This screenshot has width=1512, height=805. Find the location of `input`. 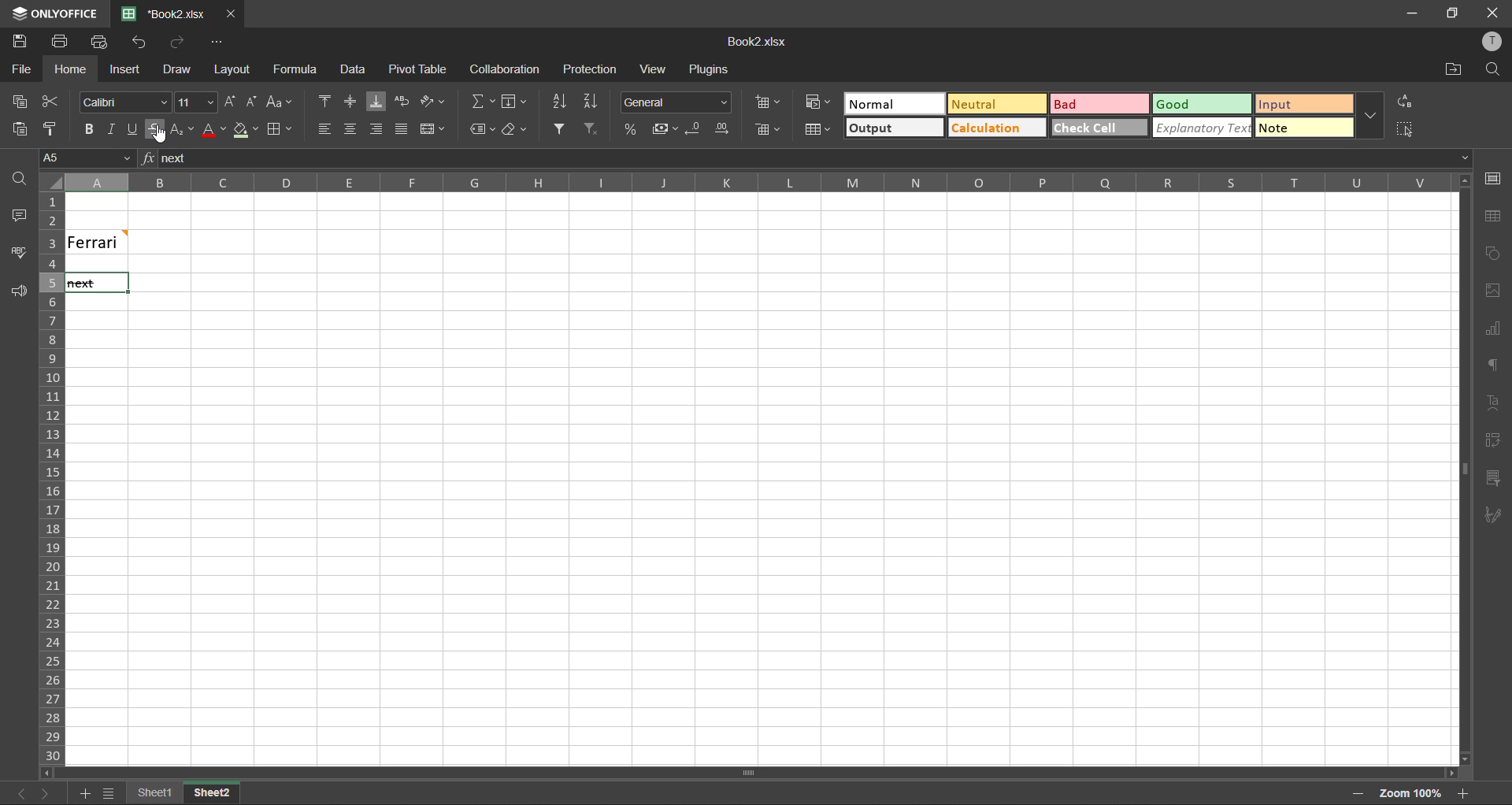

input is located at coordinates (1301, 102).